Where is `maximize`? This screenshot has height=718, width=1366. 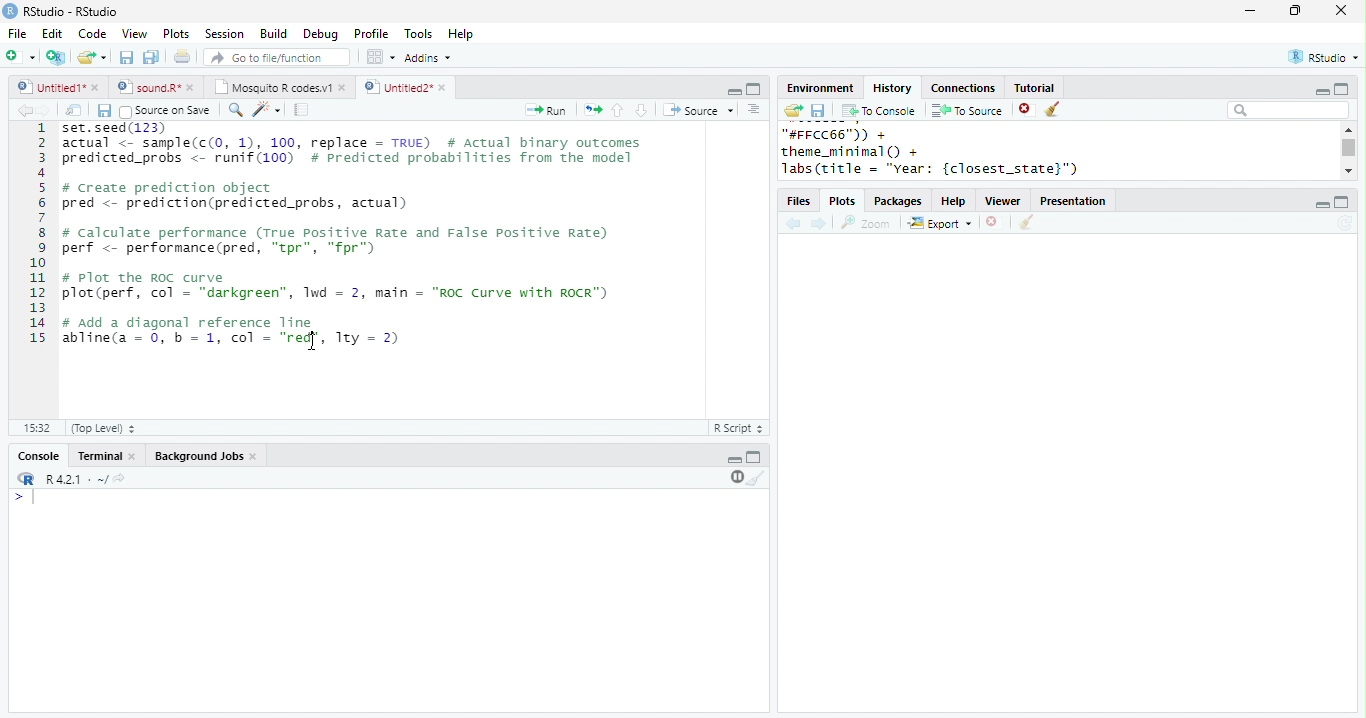
maximize is located at coordinates (1342, 202).